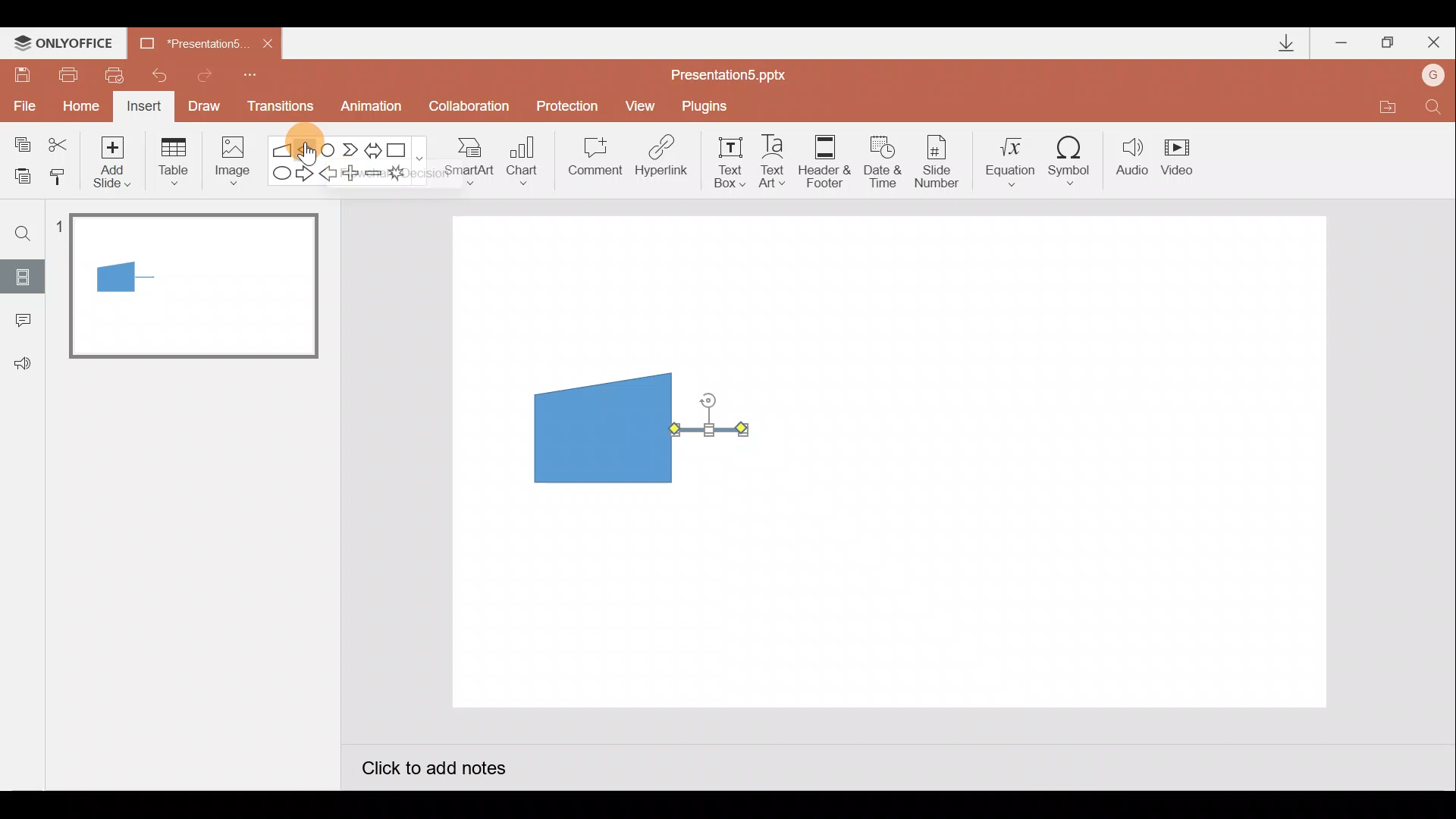  What do you see at coordinates (1434, 77) in the screenshot?
I see `Account name` at bounding box center [1434, 77].